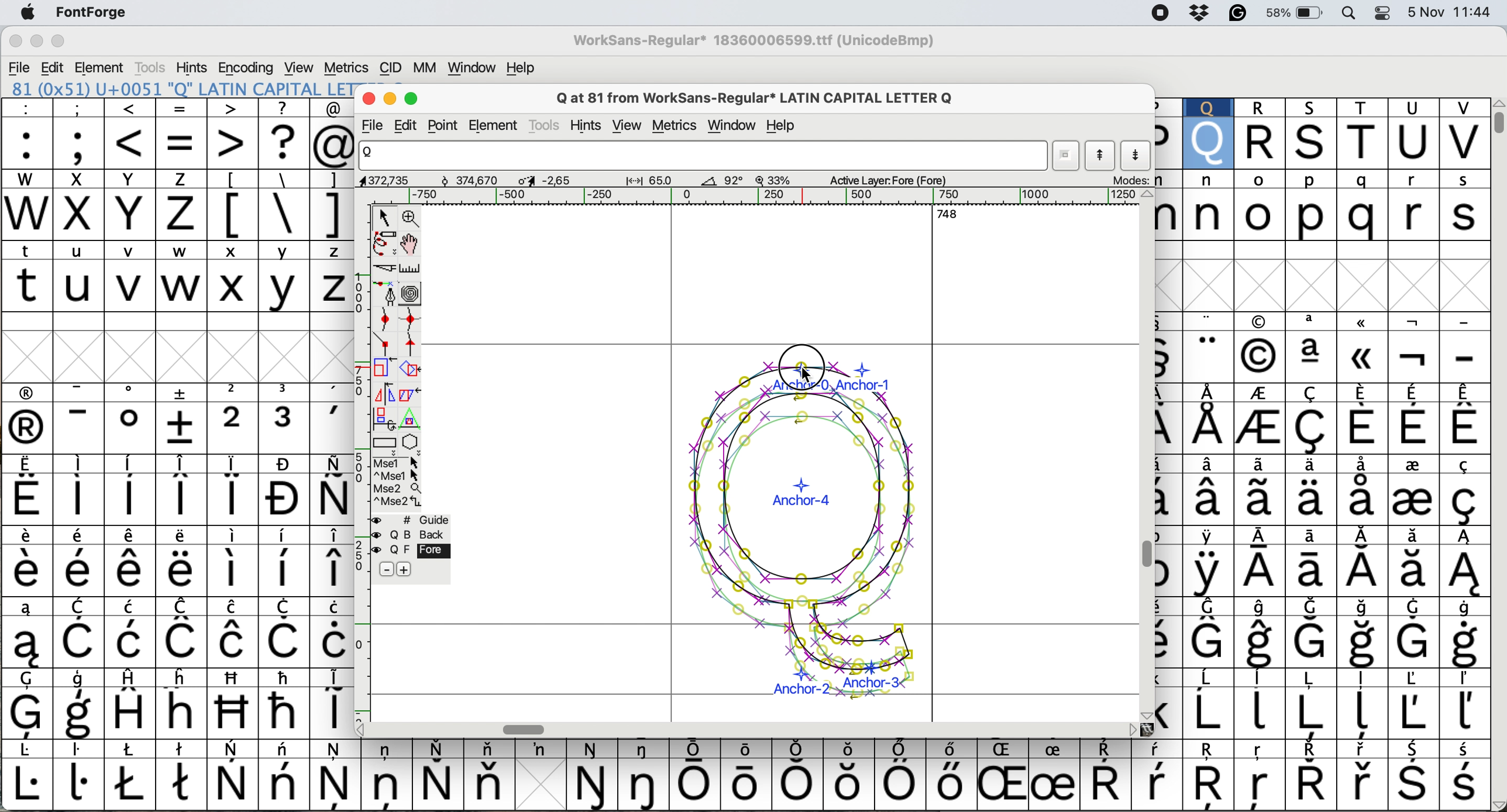 Image resolution: width=1507 pixels, height=812 pixels. I want to click on cursor, so click(802, 366).